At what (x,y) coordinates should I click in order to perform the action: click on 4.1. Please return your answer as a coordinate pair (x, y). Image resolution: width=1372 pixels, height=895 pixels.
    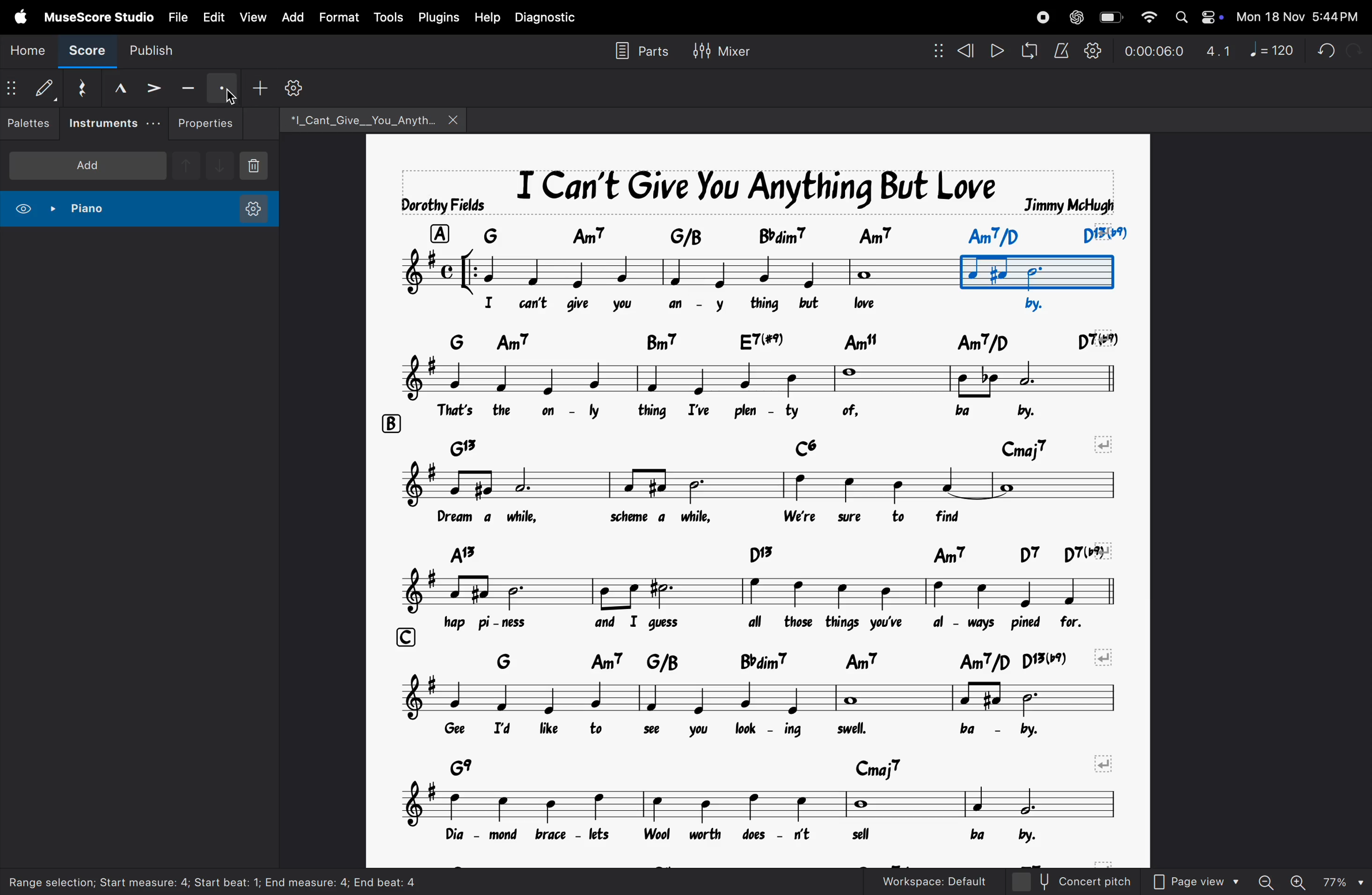
    Looking at the image, I should click on (1219, 52).